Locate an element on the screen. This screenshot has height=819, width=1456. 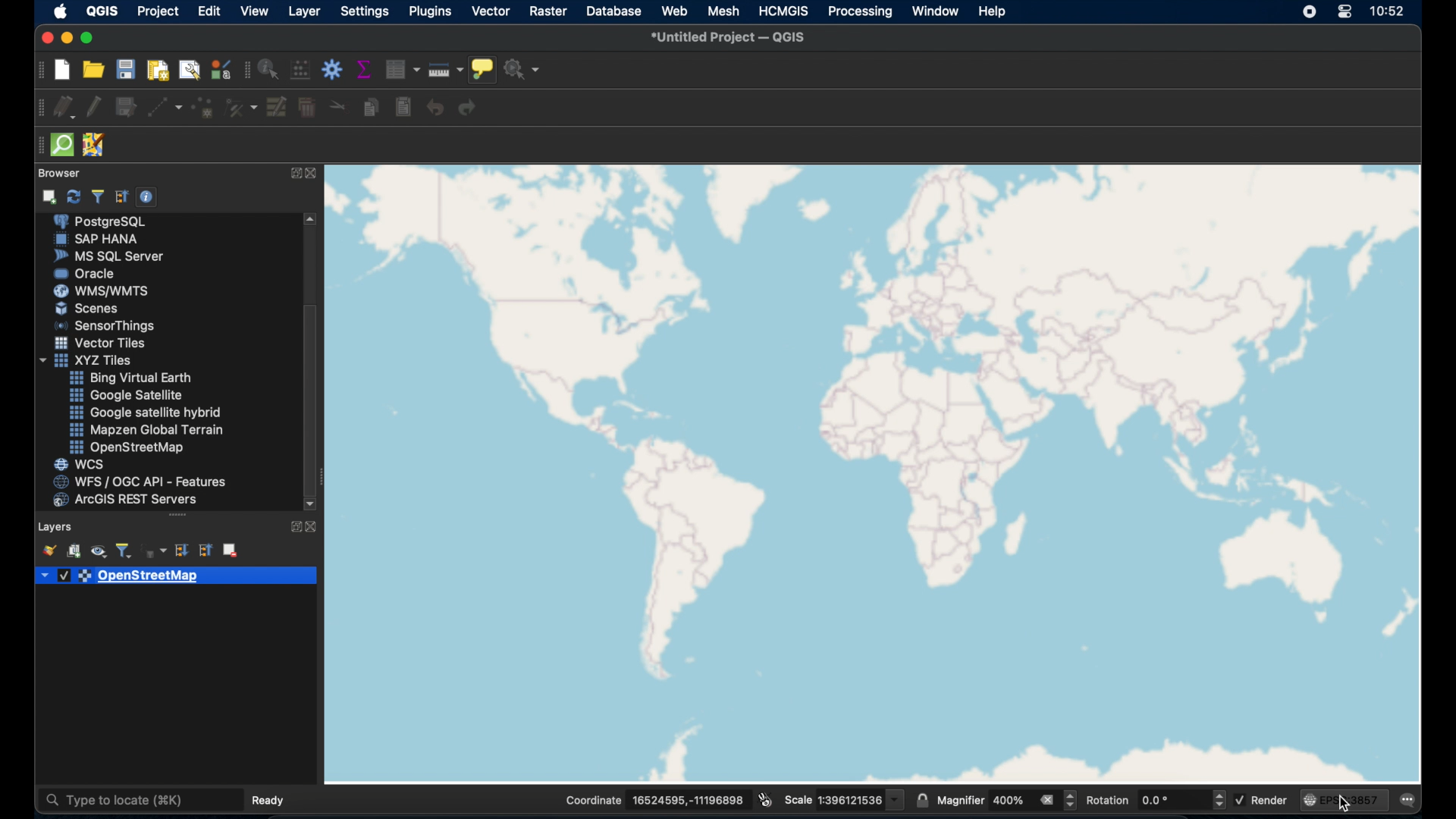
sensor things is located at coordinates (106, 328).